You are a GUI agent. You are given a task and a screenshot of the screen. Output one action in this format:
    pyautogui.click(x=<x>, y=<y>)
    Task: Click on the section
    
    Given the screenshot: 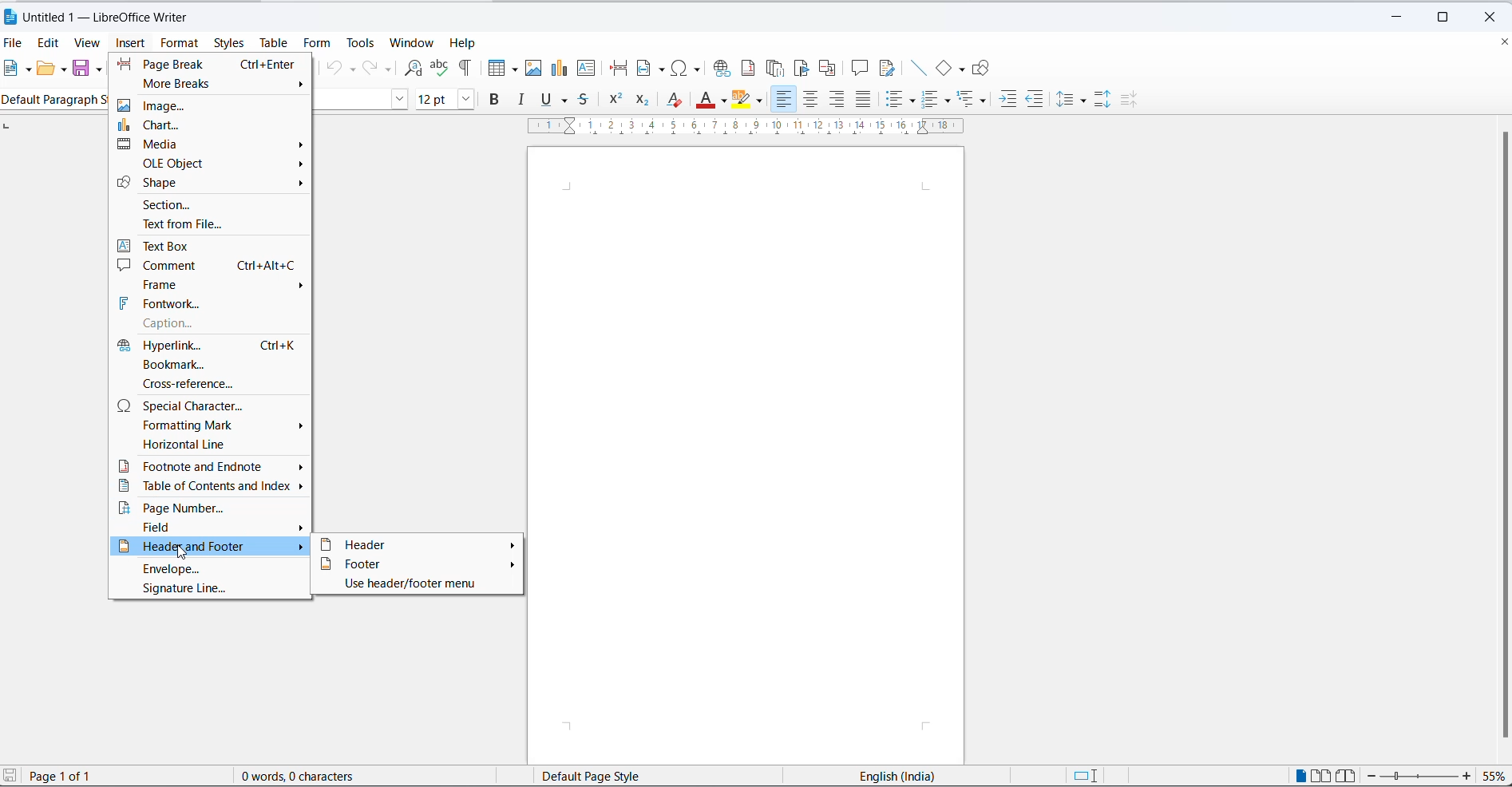 What is the action you would take?
    pyautogui.click(x=213, y=205)
    